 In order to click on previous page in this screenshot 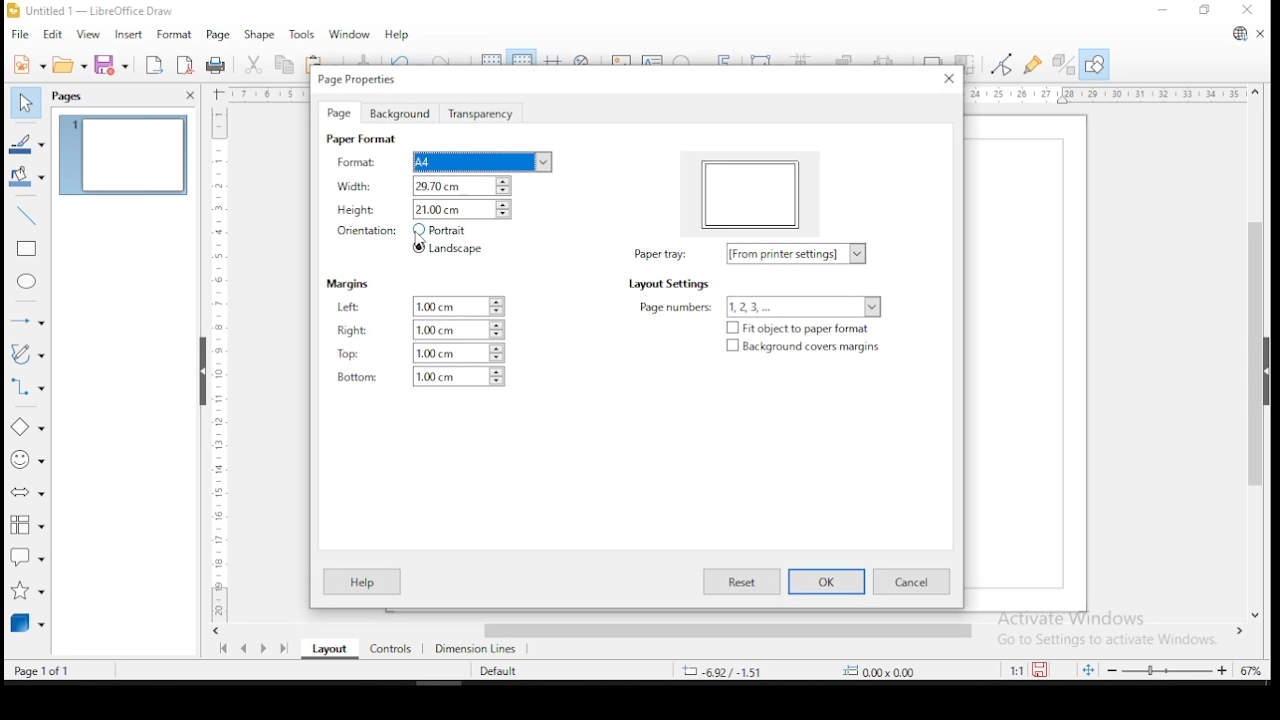, I will do `click(244, 651)`.